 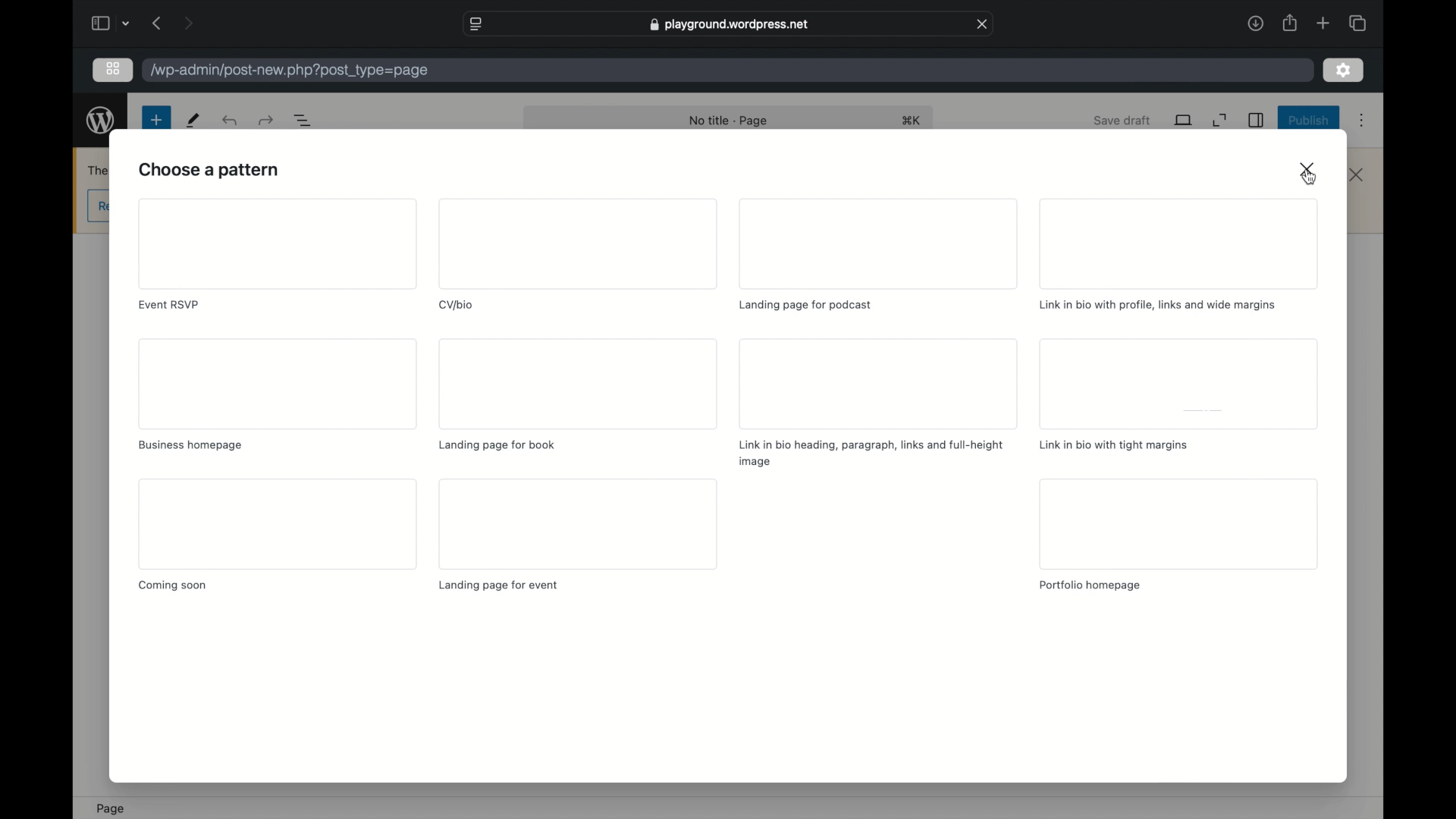 What do you see at coordinates (1257, 121) in the screenshot?
I see `sidebar` at bounding box center [1257, 121].